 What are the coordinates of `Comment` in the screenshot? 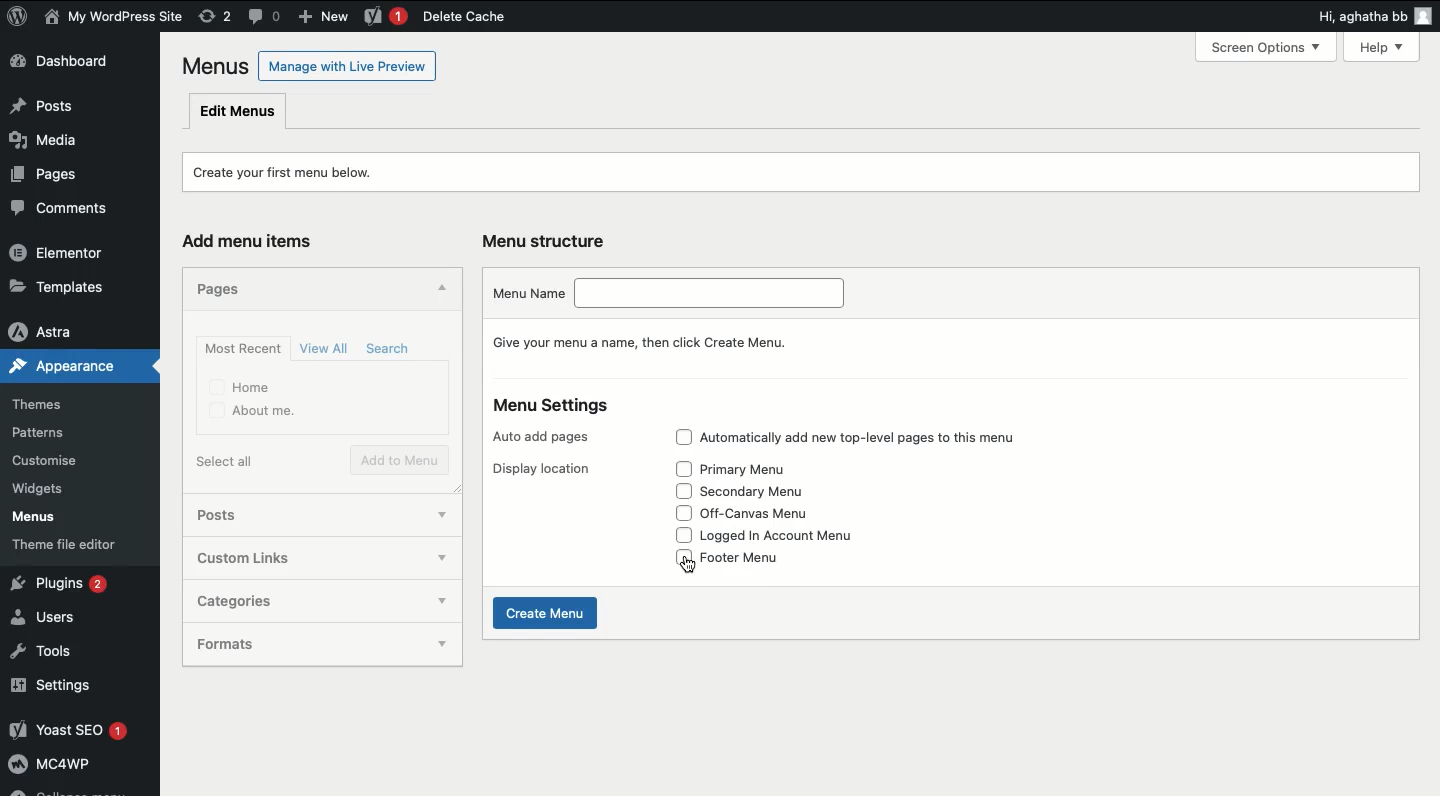 It's located at (265, 15).